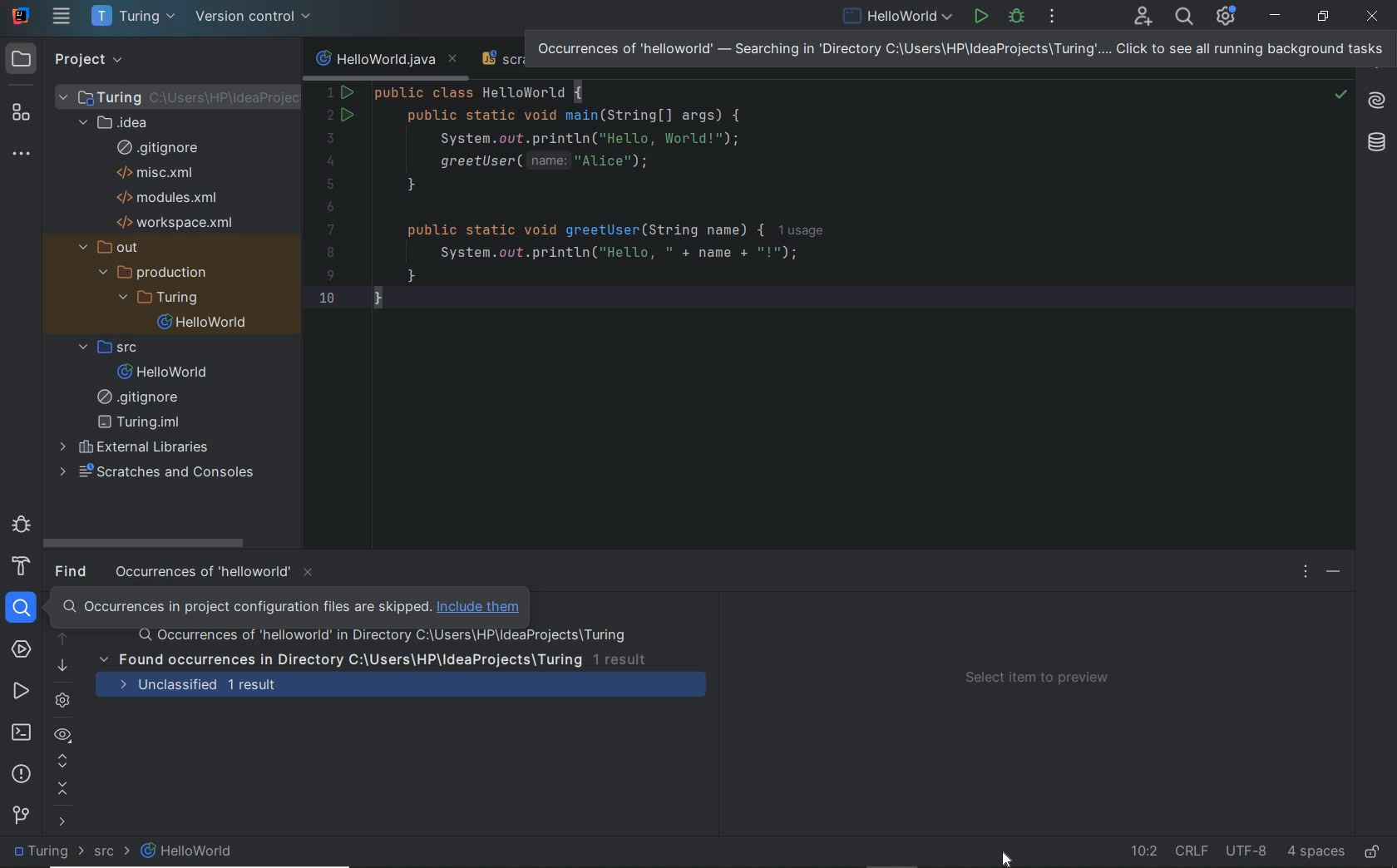 Image resolution: width=1397 pixels, height=868 pixels. What do you see at coordinates (160, 172) in the screenshot?
I see `misc.xml` at bounding box center [160, 172].